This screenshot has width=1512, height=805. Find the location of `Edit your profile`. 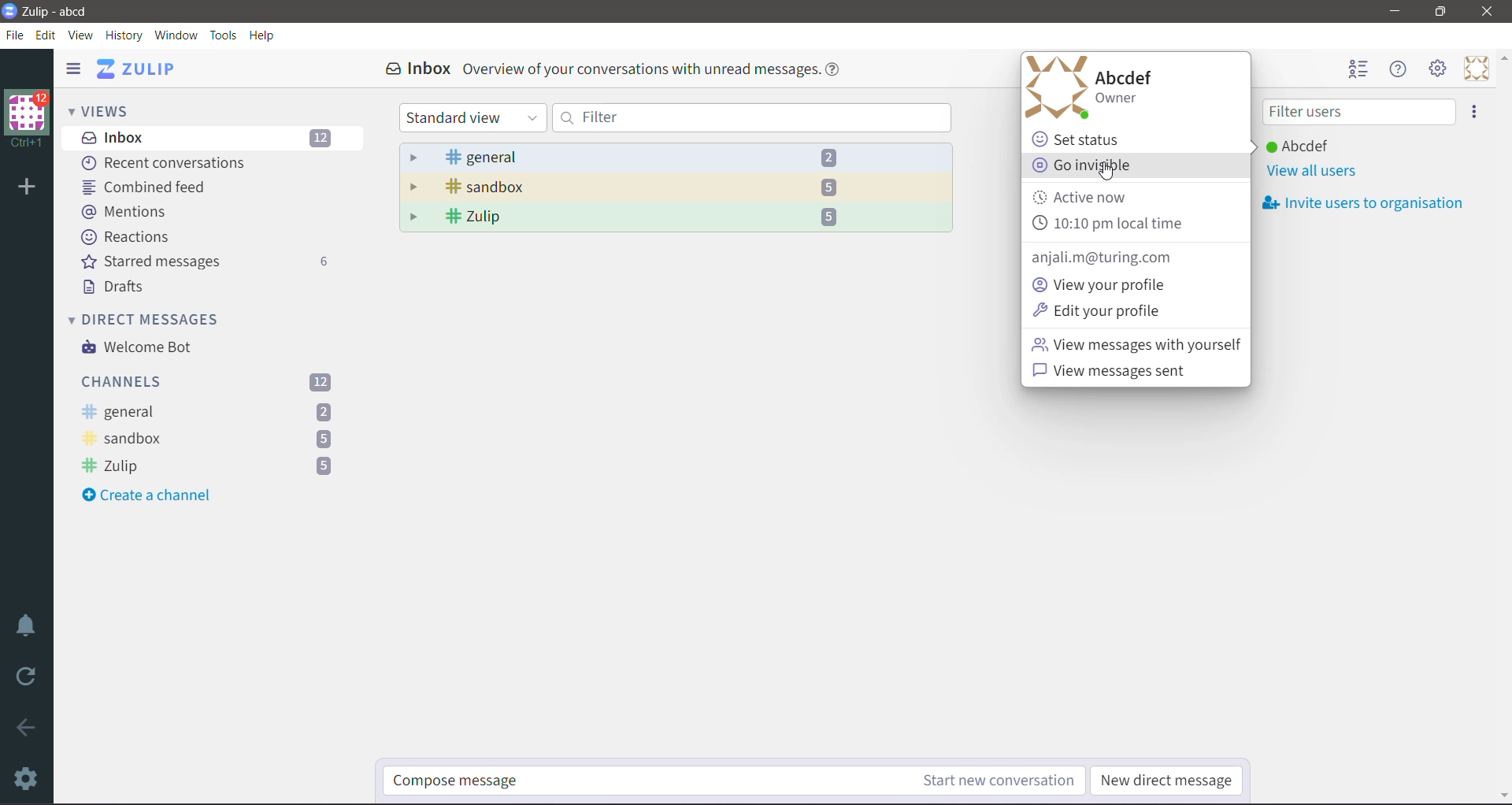

Edit your profile is located at coordinates (1112, 311).